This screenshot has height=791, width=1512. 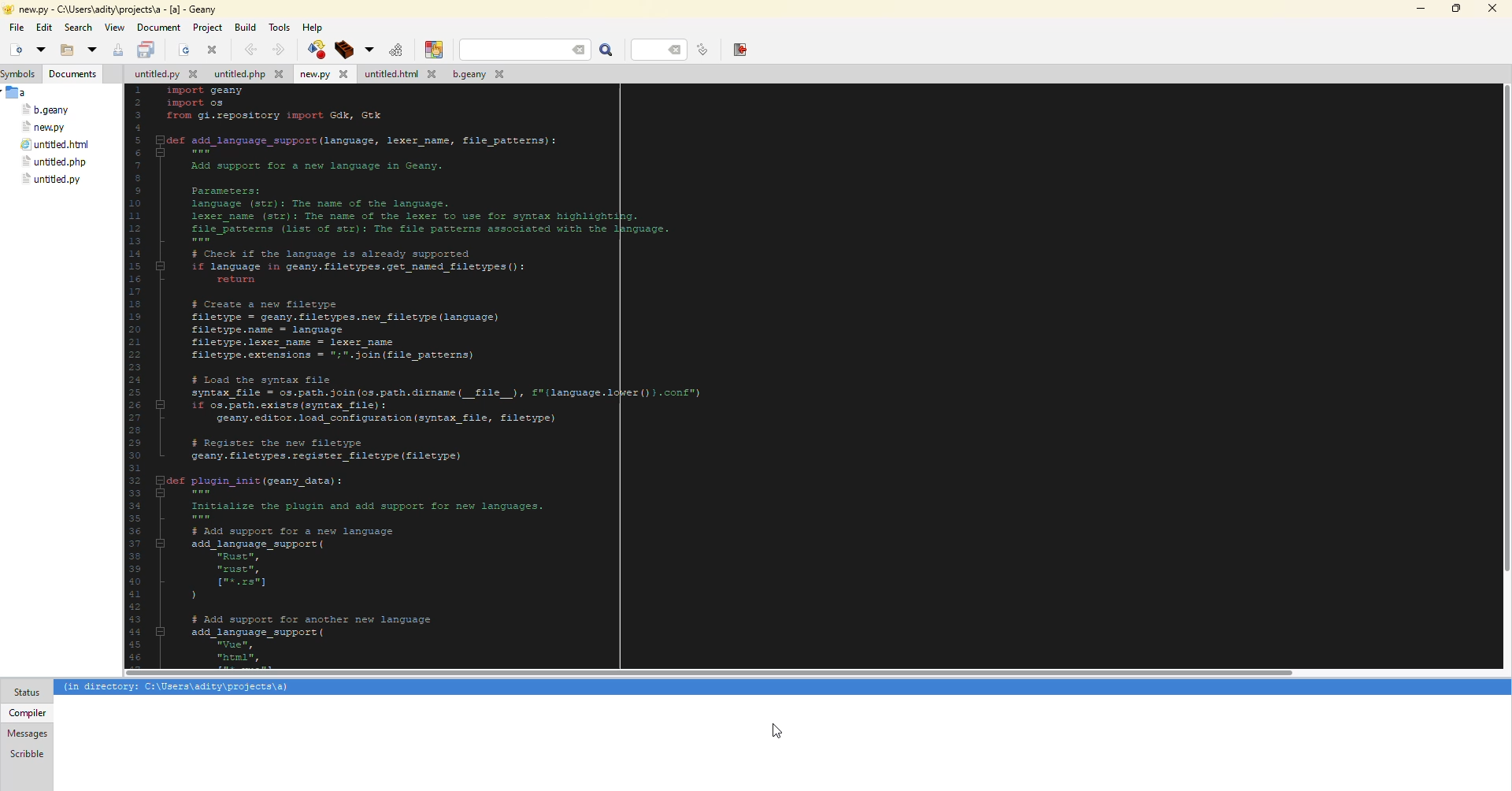 I want to click on file, so click(x=323, y=74).